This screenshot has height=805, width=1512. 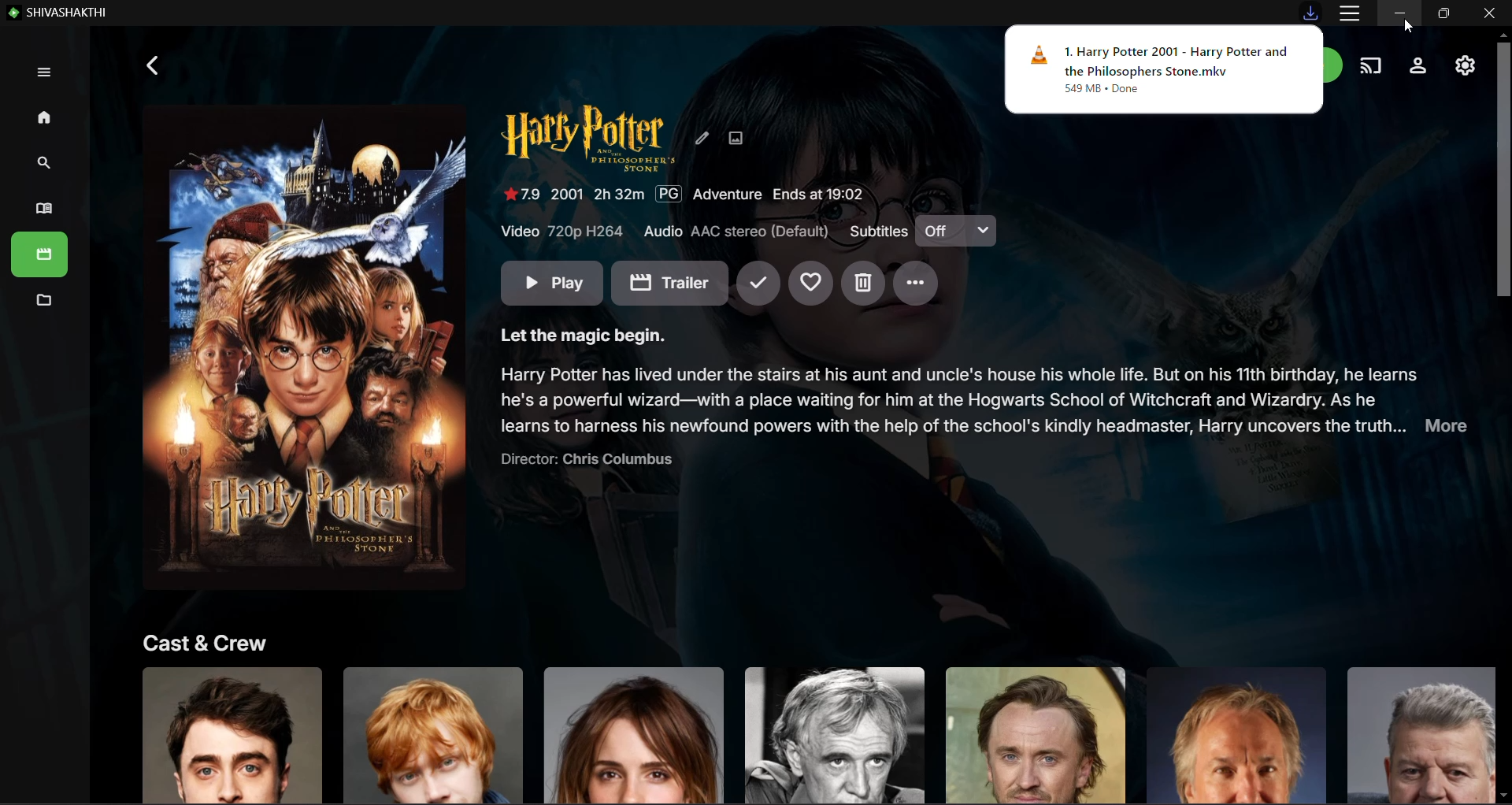 I want to click on Add to Favorites, so click(x=810, y=284).